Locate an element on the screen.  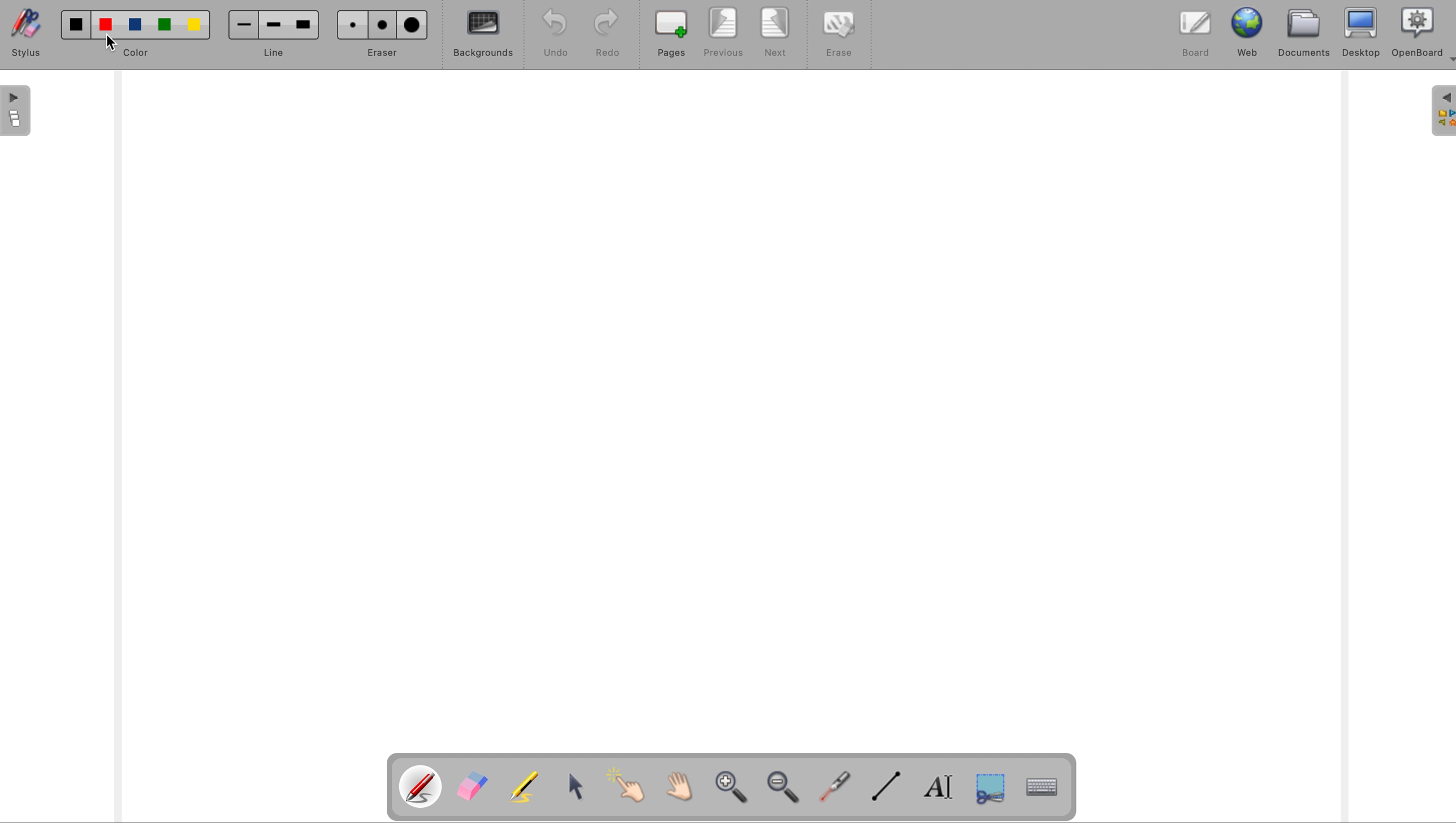
desktop is located at coordinates (1363, 32).